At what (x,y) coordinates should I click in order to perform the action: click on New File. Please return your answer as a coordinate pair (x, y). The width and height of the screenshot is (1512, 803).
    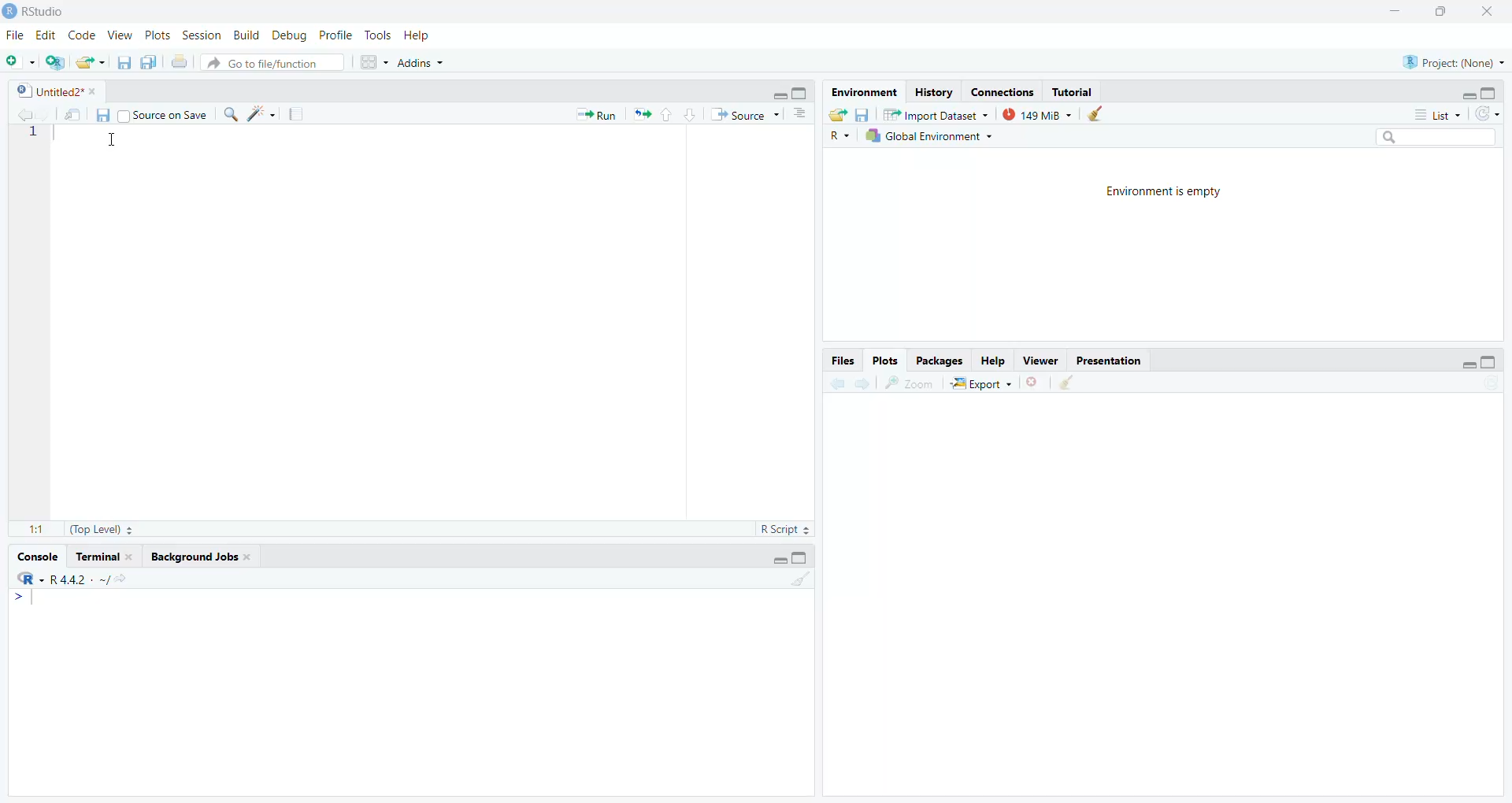
    Looking at the image, I should click on (19, 65).